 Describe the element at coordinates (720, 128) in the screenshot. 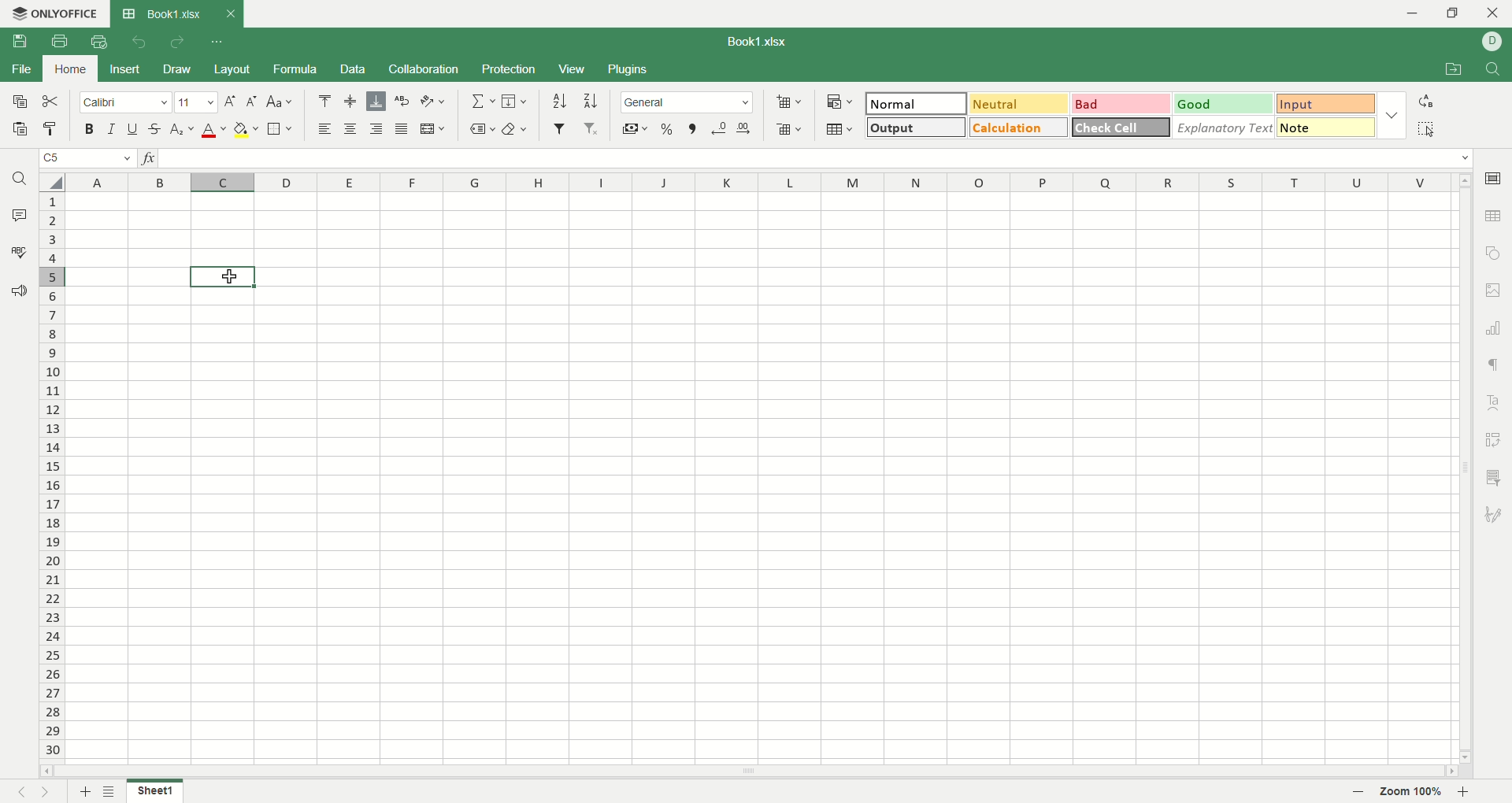

I see `decrease decimal` at that location.